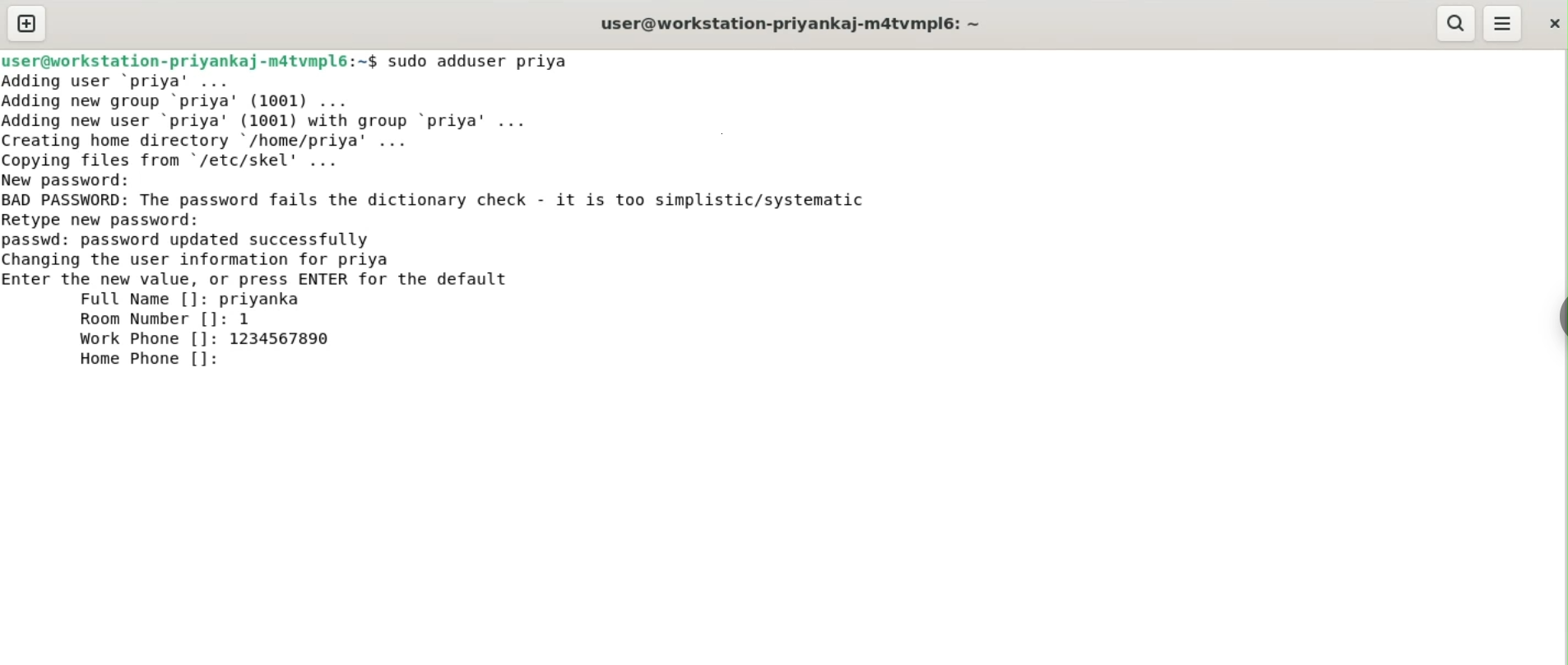 This screenshot has height=665, width=1568. Describe the element at coordinates (1504, 24) in the screenshot. I see `menu` at that location.